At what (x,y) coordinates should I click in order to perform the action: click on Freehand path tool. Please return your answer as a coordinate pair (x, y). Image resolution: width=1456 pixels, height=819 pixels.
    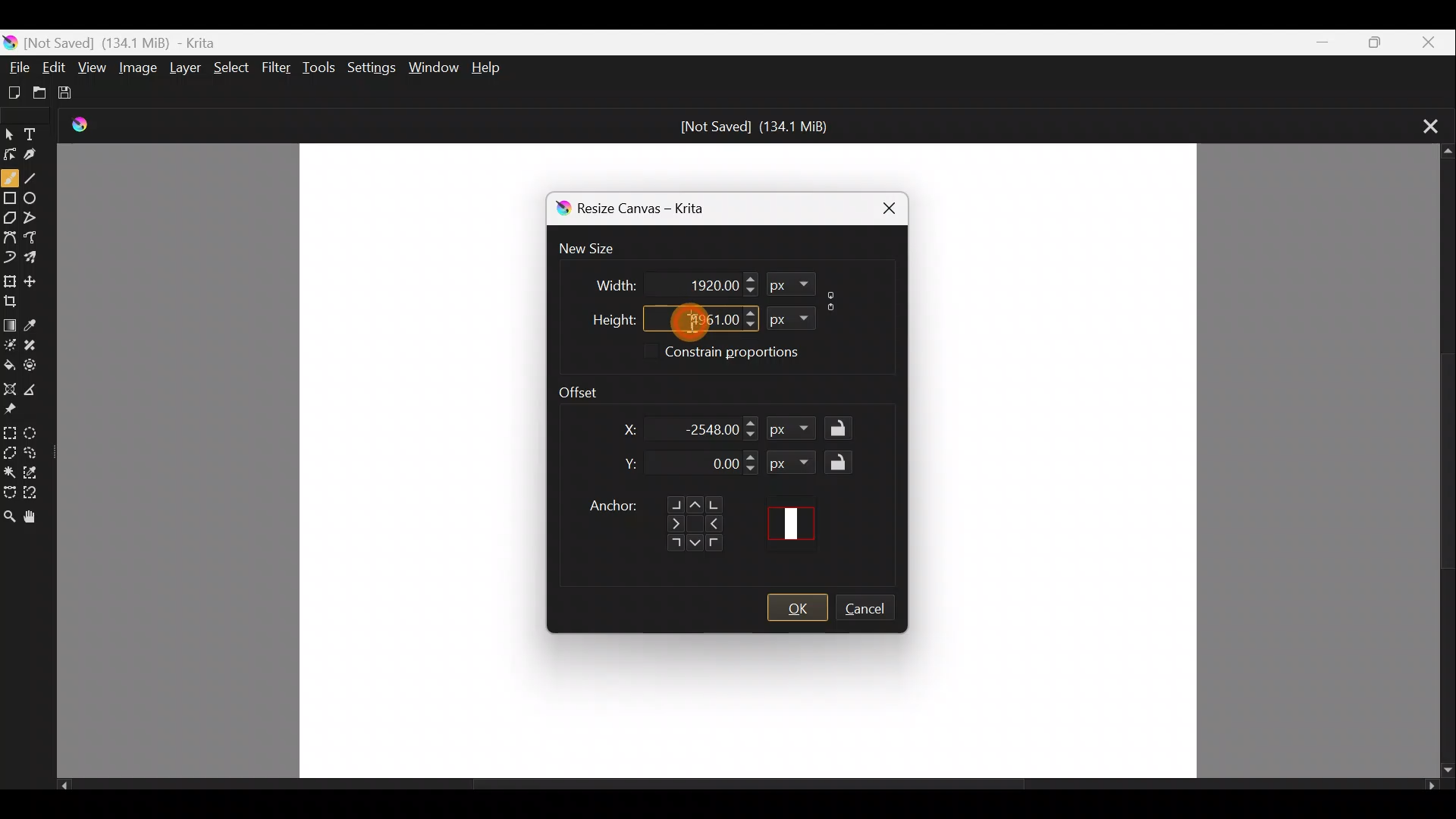
    Looking at the image, I should click on (35, 236).